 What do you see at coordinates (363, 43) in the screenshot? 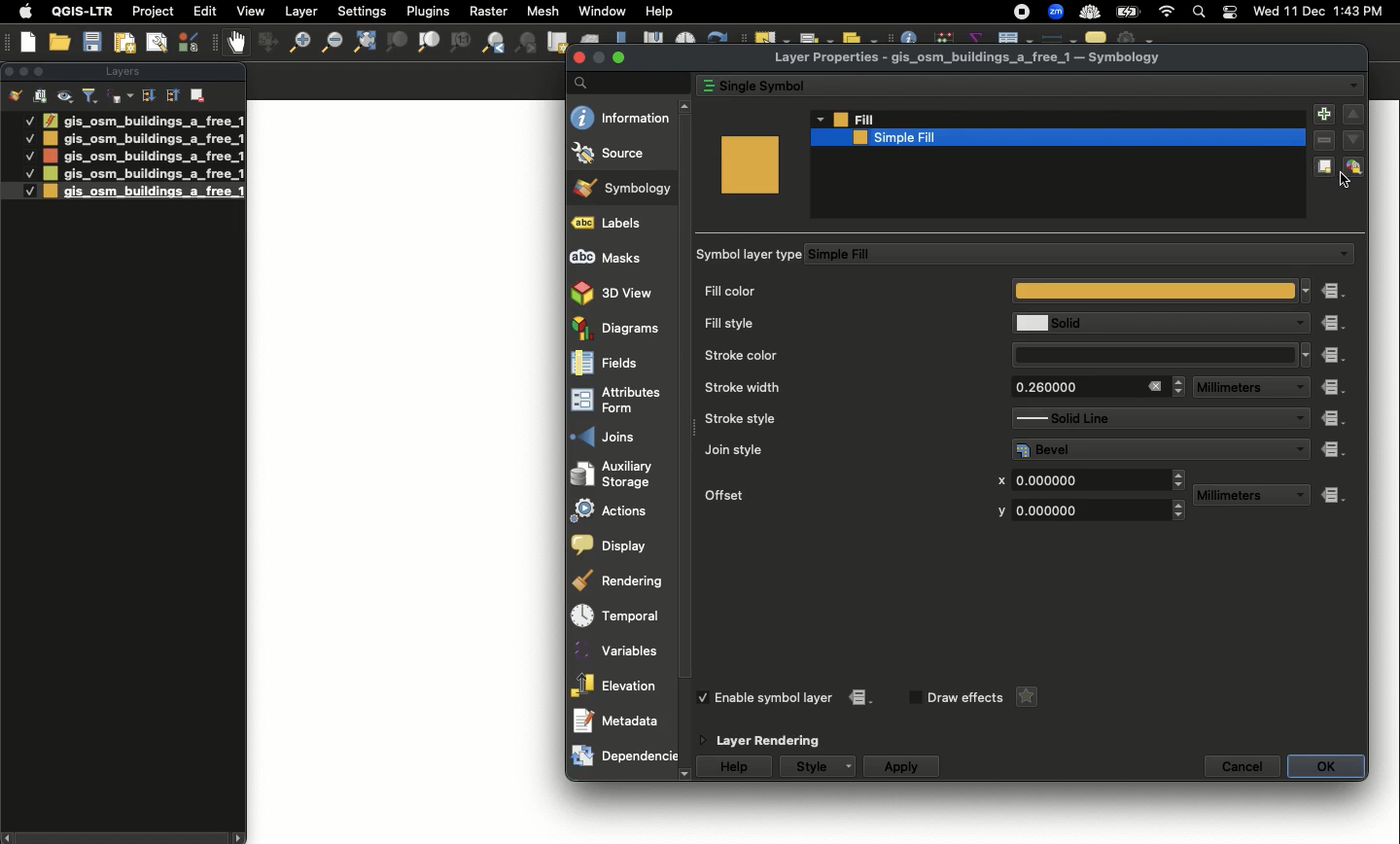
I see `Zoom full` at bounding box center [363, 43].